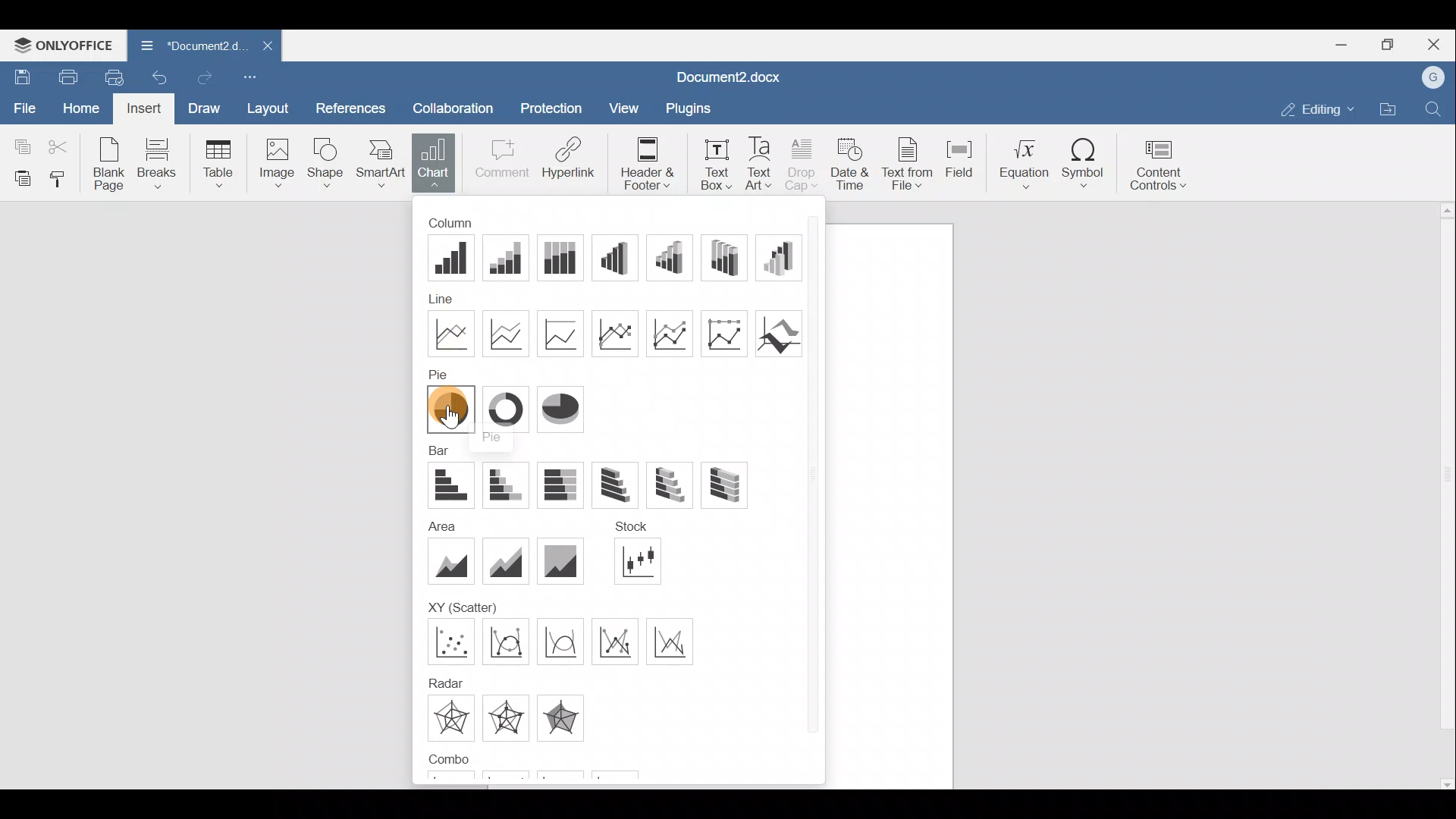 This screenshot has height=819, width=1456. I want to click on 3-D stacked bar, so click(669, 485).